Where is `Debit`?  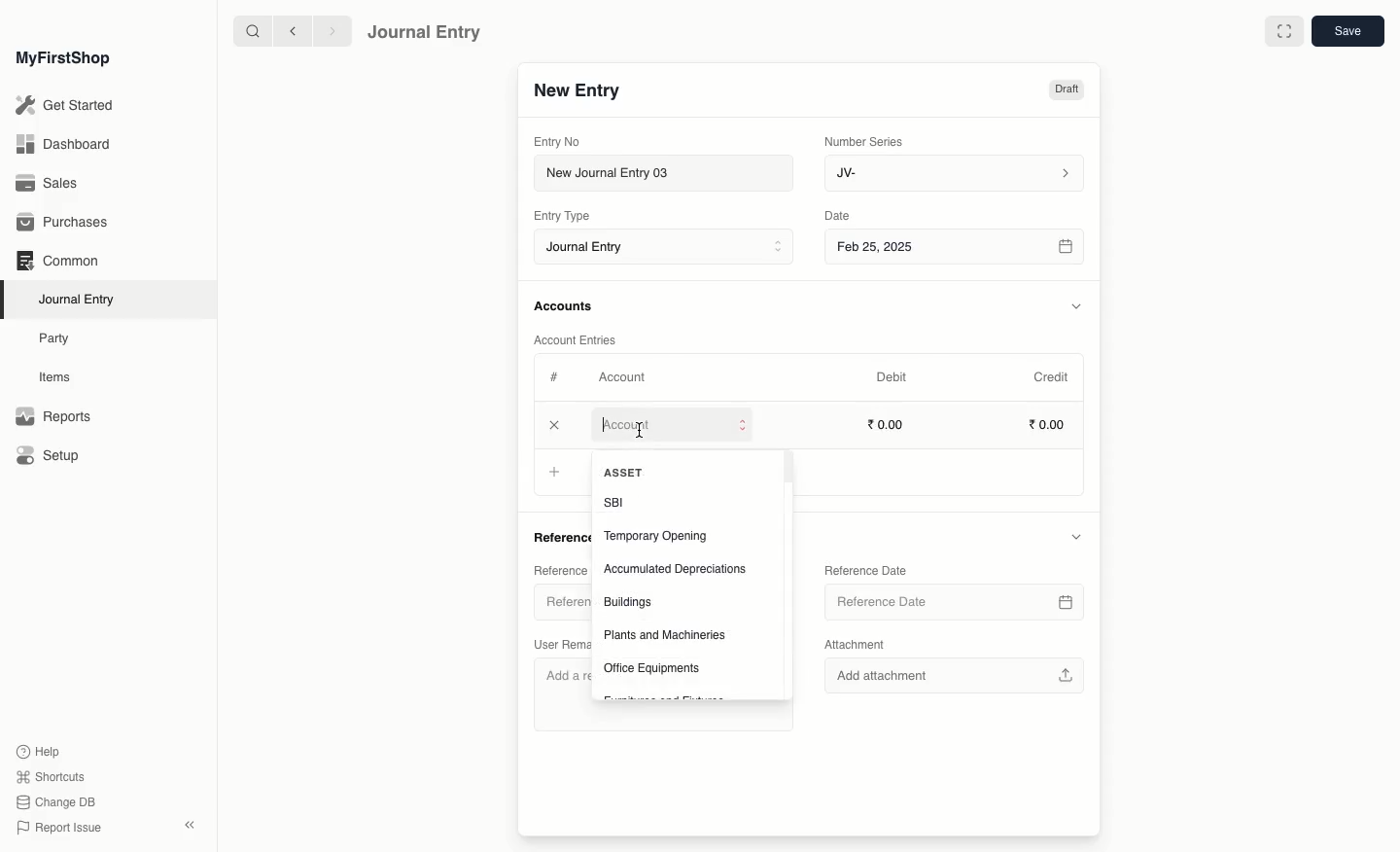 Debit is located at coordinates (892, 376).